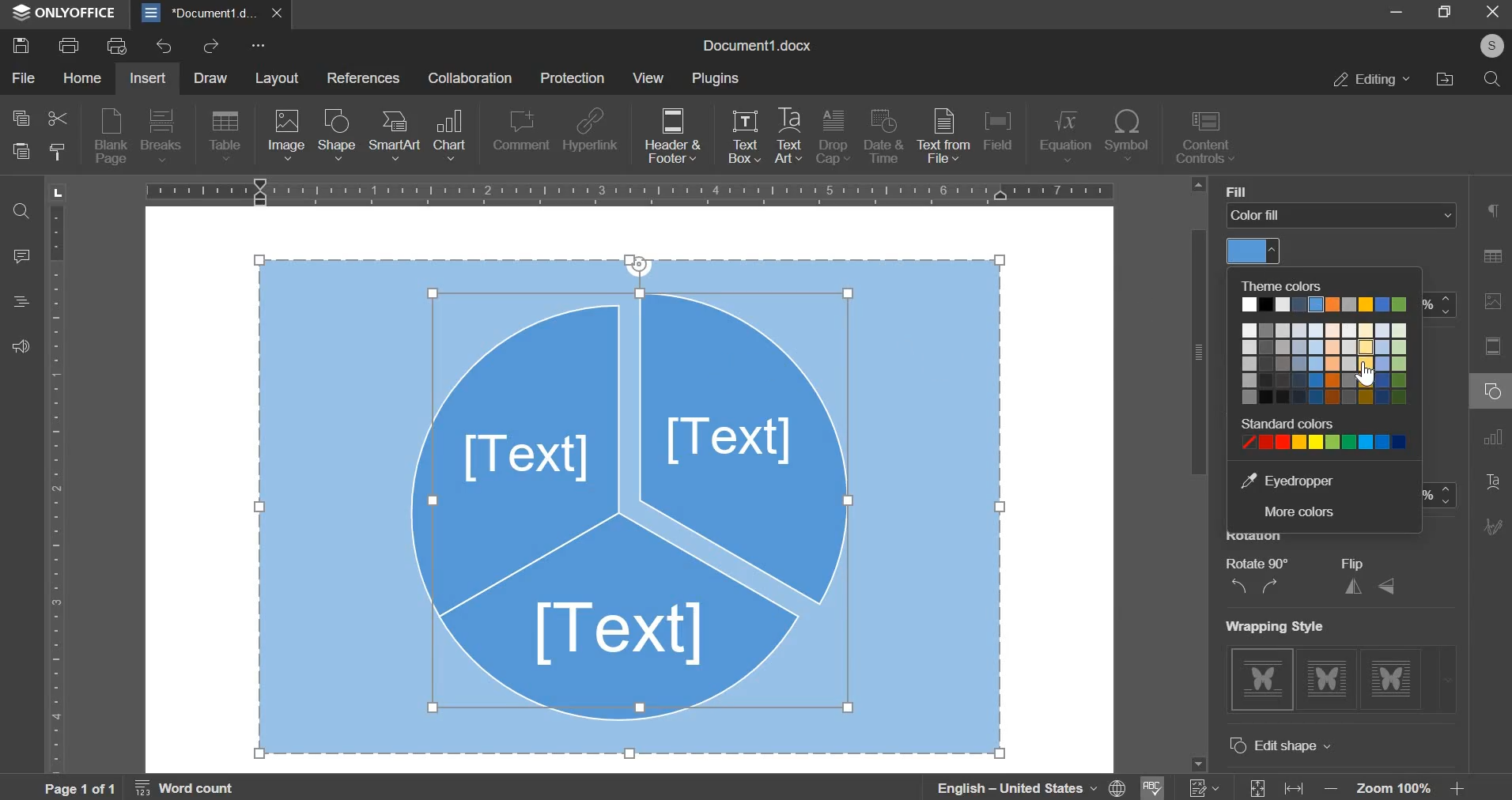  Describe the element at coordinates (1202, 787) in the screenshot. I see `track changes` at that location.